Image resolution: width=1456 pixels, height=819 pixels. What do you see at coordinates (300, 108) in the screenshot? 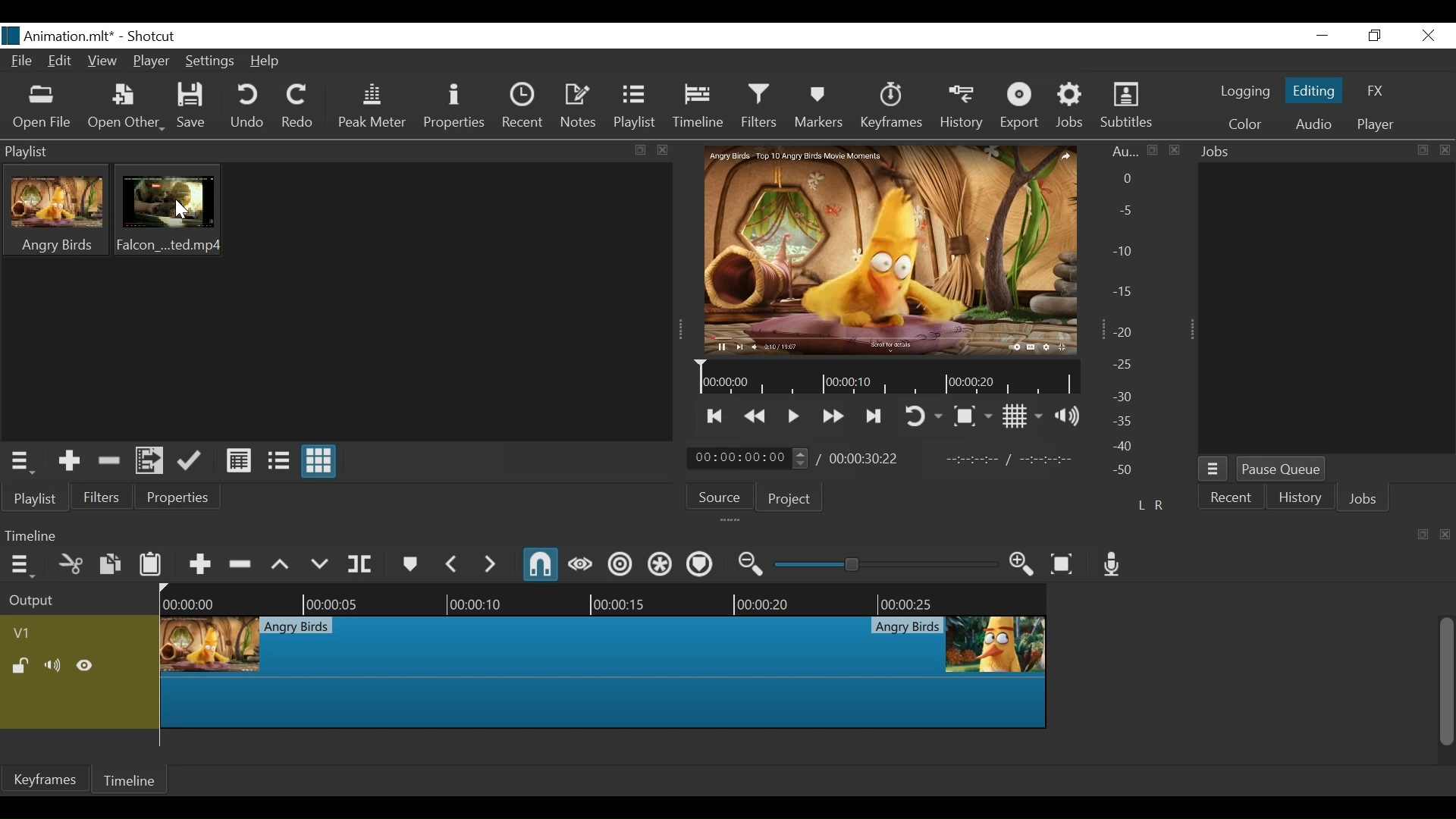
I see `Redo` at bounding box center [300, 108].